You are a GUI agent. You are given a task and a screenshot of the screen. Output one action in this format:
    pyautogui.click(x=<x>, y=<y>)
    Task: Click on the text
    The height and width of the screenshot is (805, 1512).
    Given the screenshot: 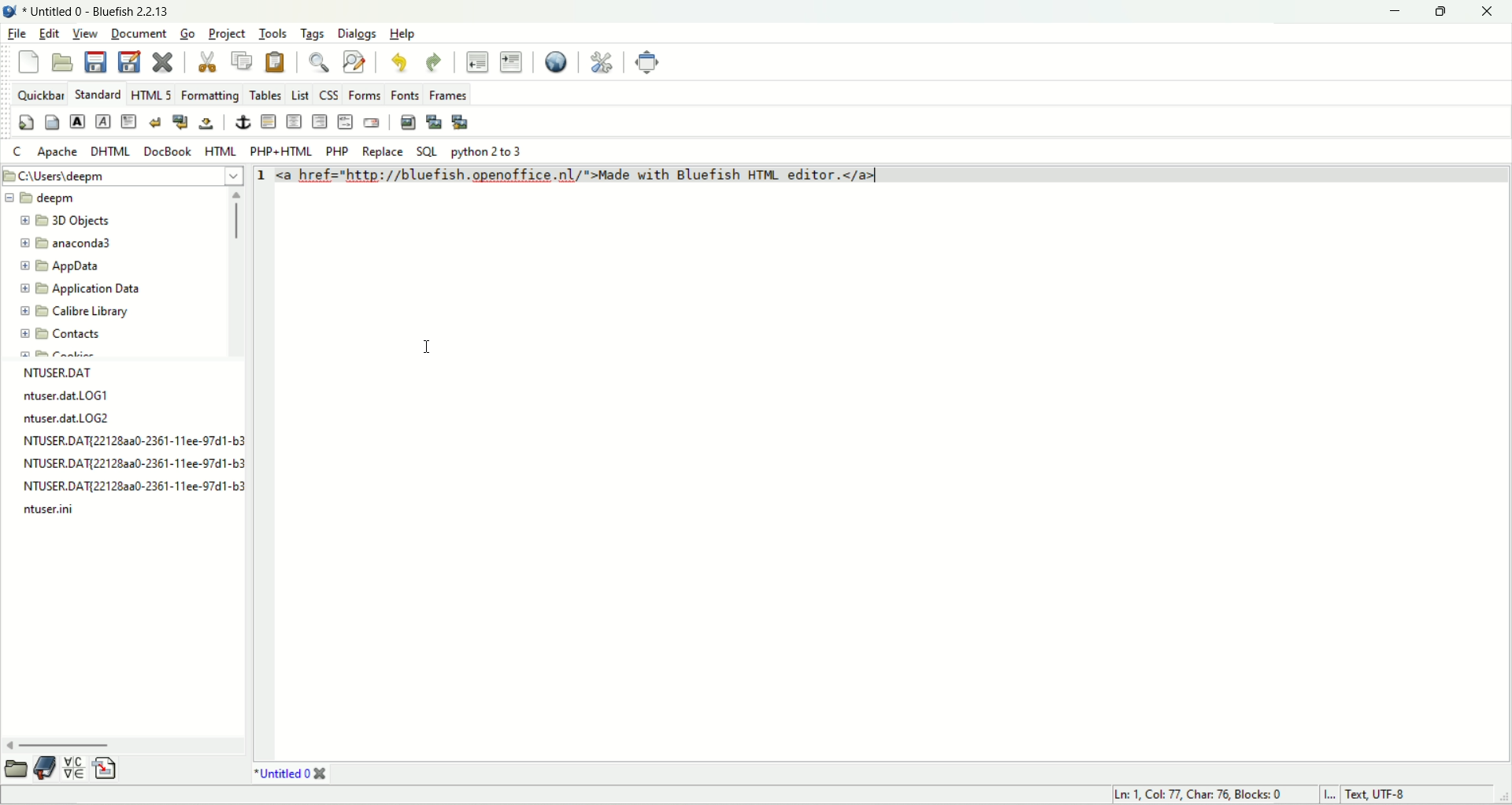 What is the action you would take?
    pyautogui.click(x=132, y=441)
    